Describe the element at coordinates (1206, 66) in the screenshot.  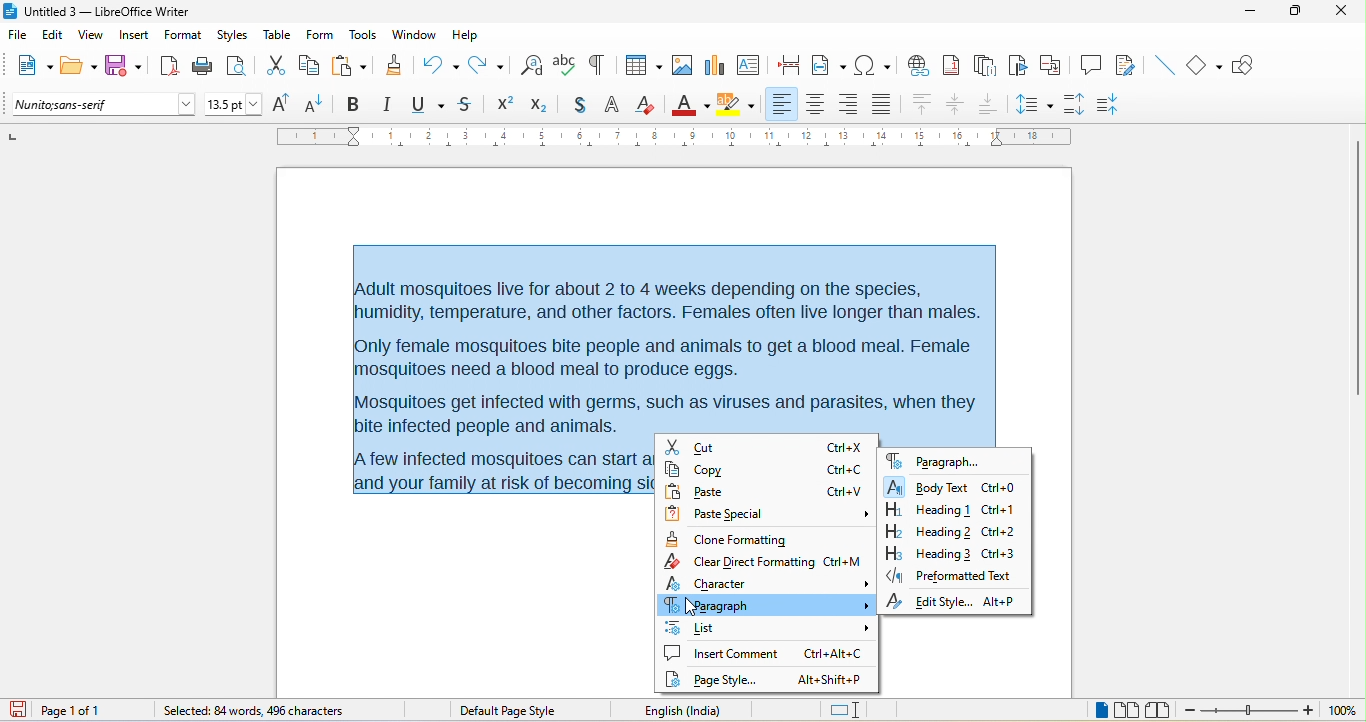
I see `basic shapes` at that location.